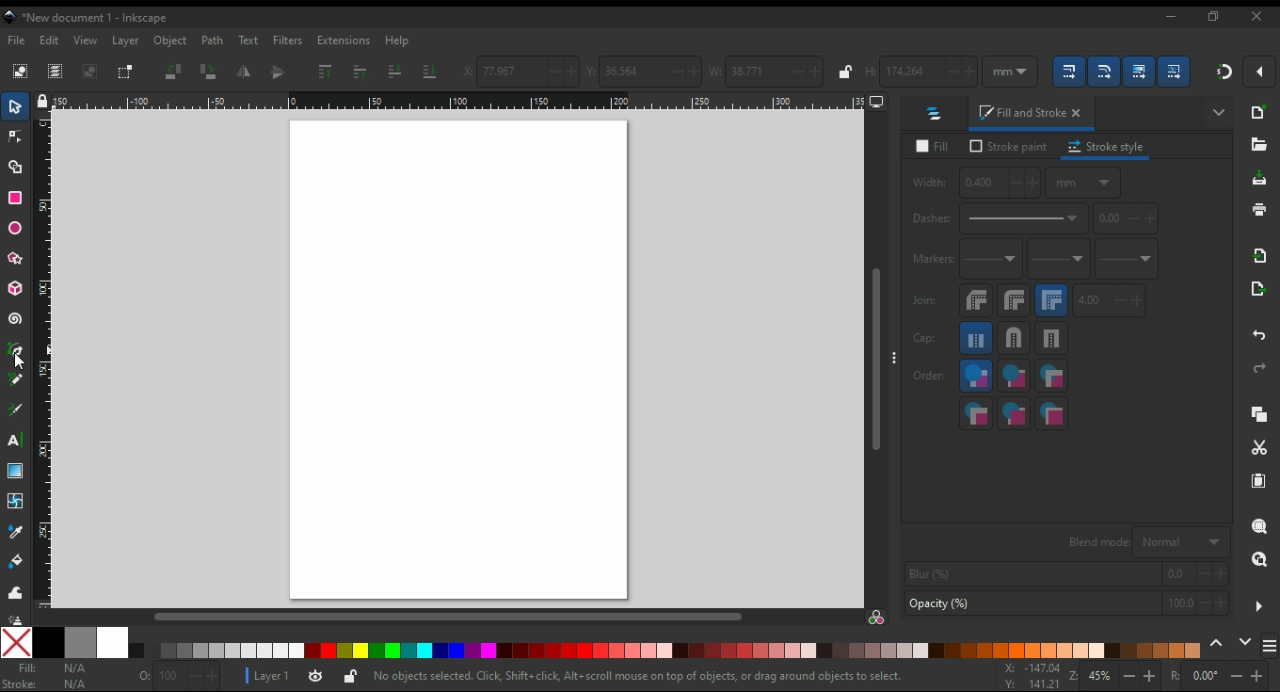 The height and width of the screenshot is (692, 1280). I want to click on object, so click(170, 42).